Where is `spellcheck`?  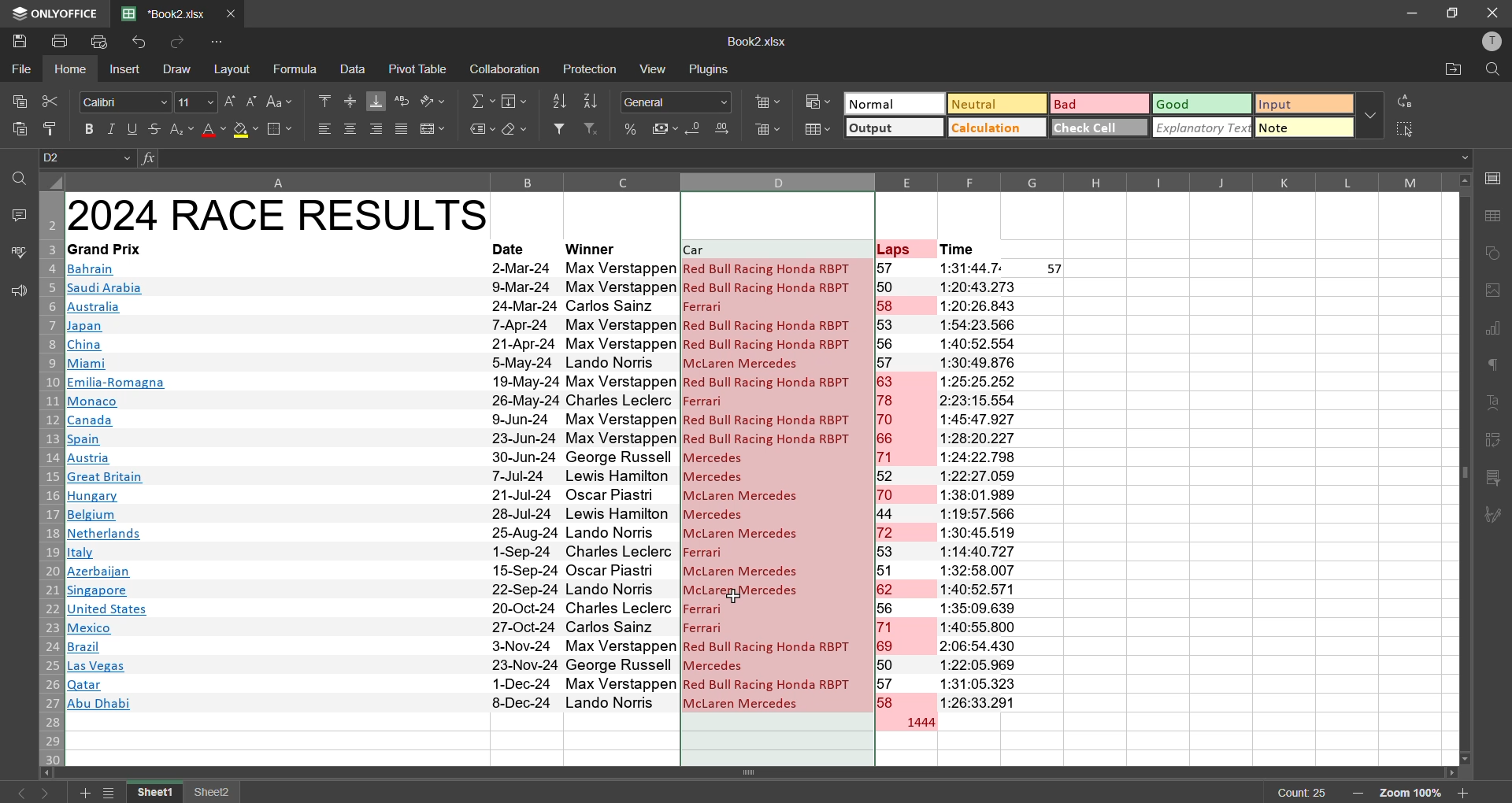 spellcheck is located at coordinates (17, 254).